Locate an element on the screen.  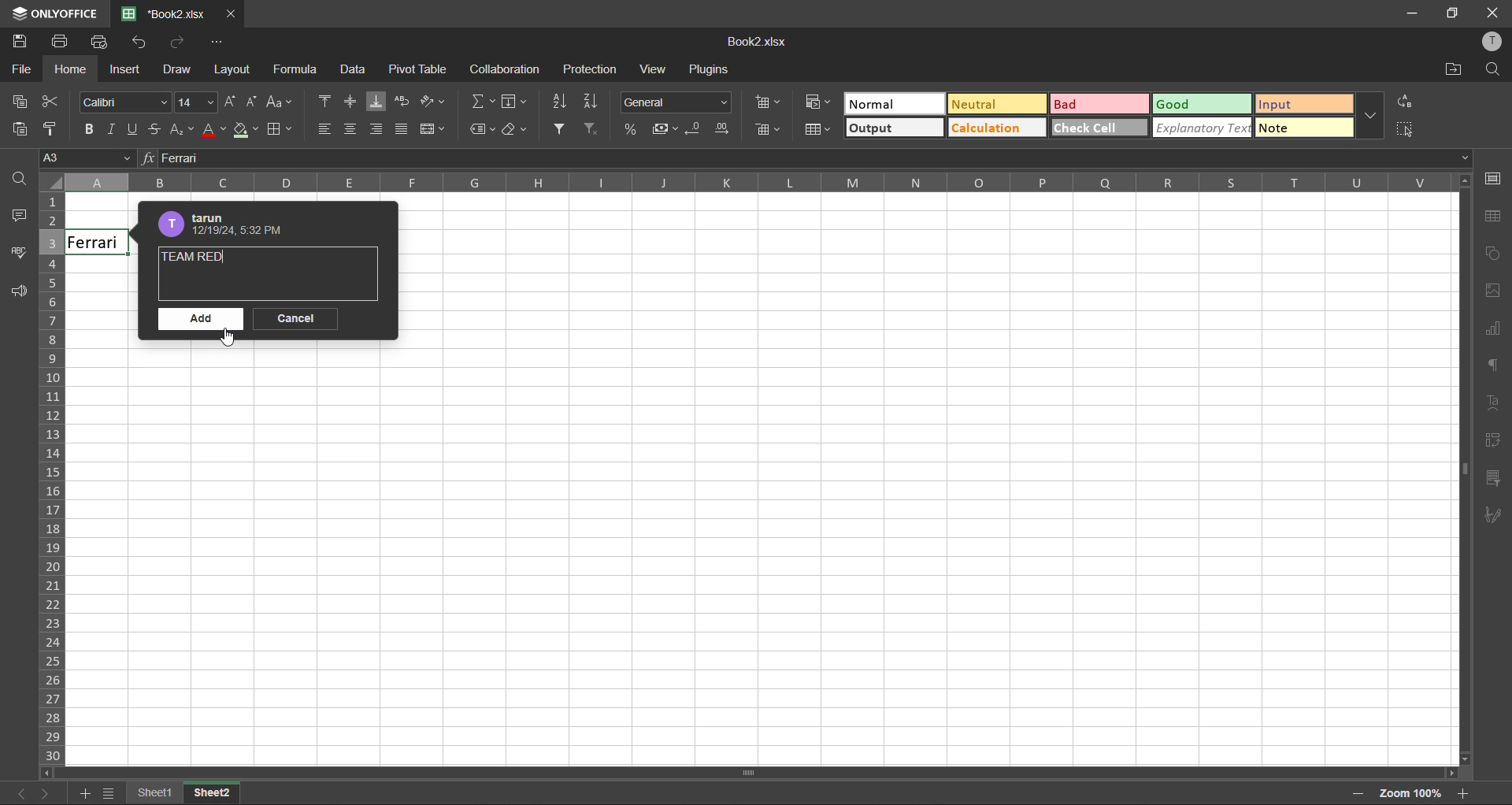
add is located at coordinates (202, 321).